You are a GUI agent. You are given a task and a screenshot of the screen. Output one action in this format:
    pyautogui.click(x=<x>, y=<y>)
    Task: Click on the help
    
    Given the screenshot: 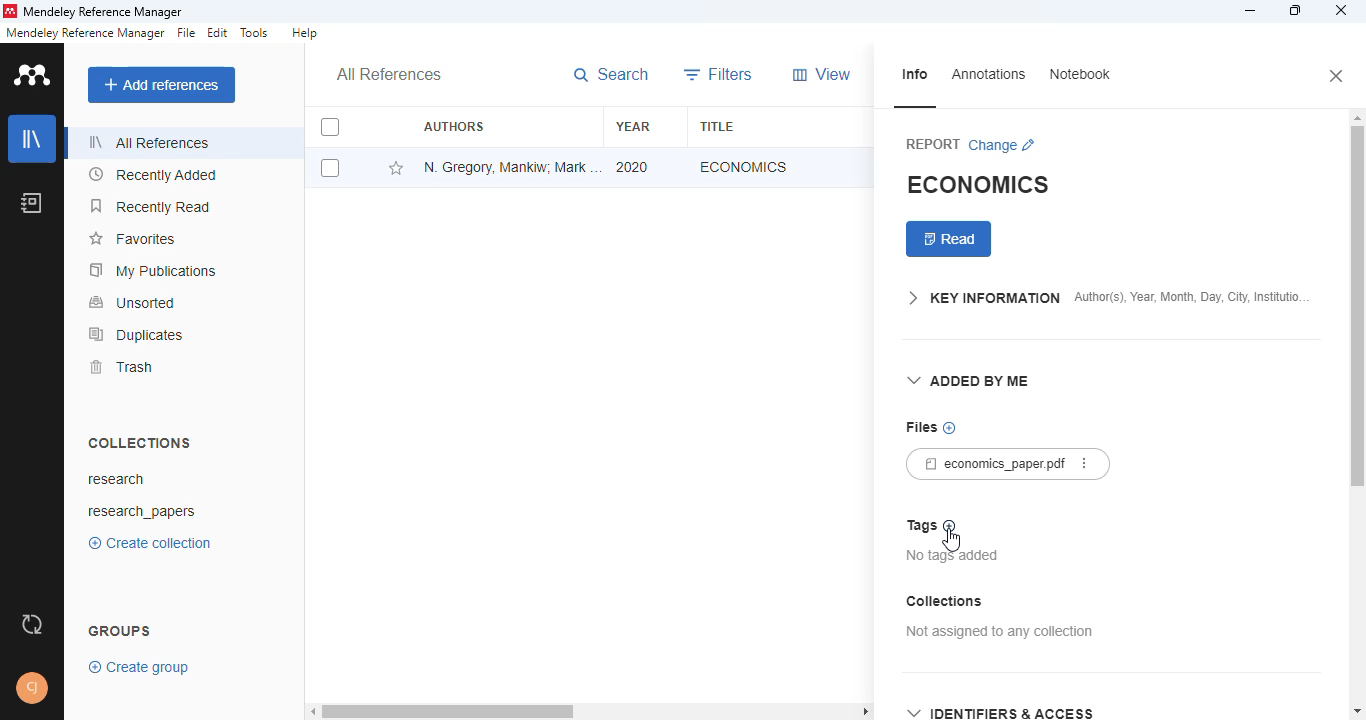 What is the action you would take?
    pyautogui.click(x=304, y=33)
    